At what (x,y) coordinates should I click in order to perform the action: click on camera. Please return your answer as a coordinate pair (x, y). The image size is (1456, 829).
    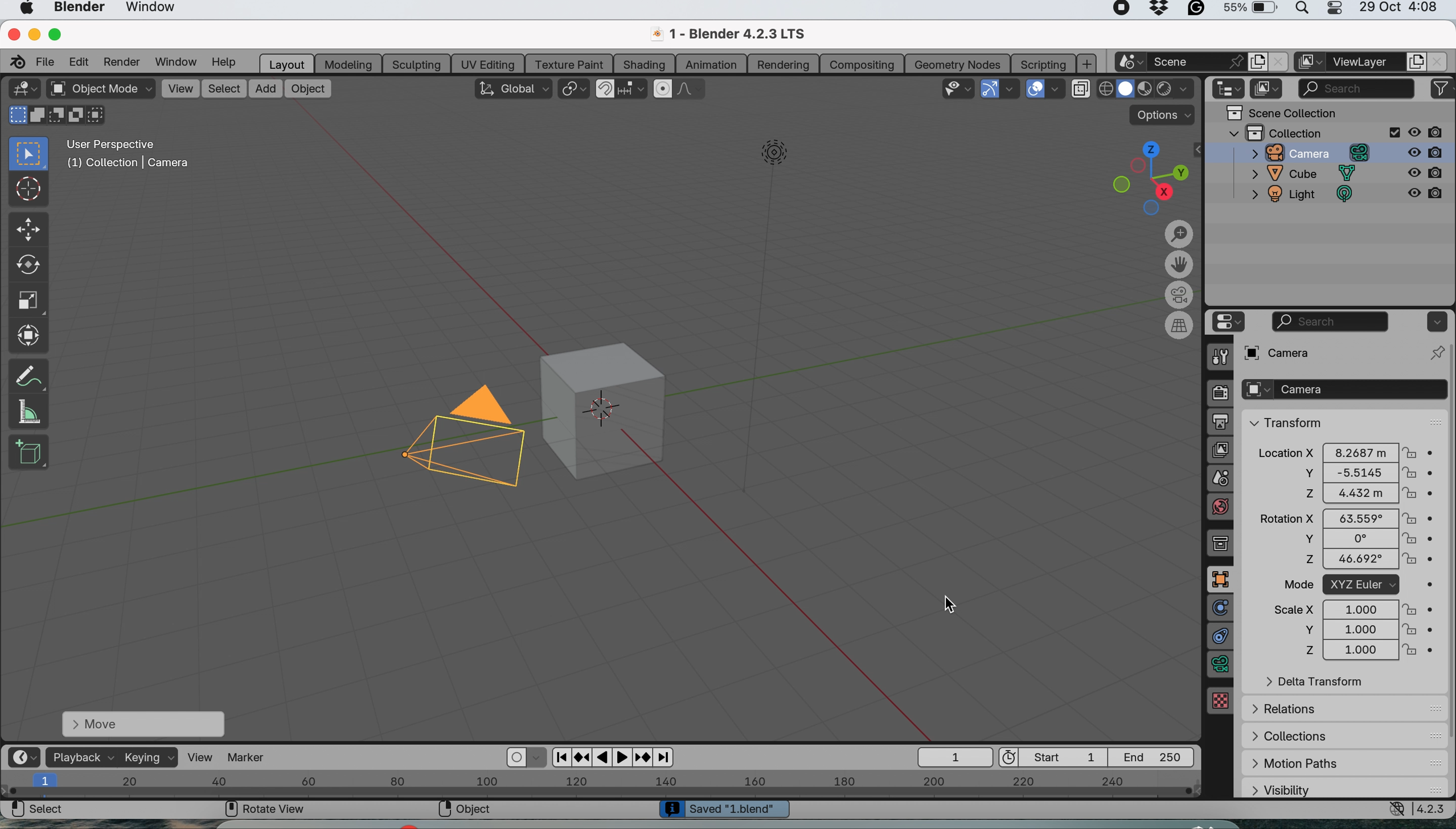
    Looking at the image, I should click on (1304, 153).